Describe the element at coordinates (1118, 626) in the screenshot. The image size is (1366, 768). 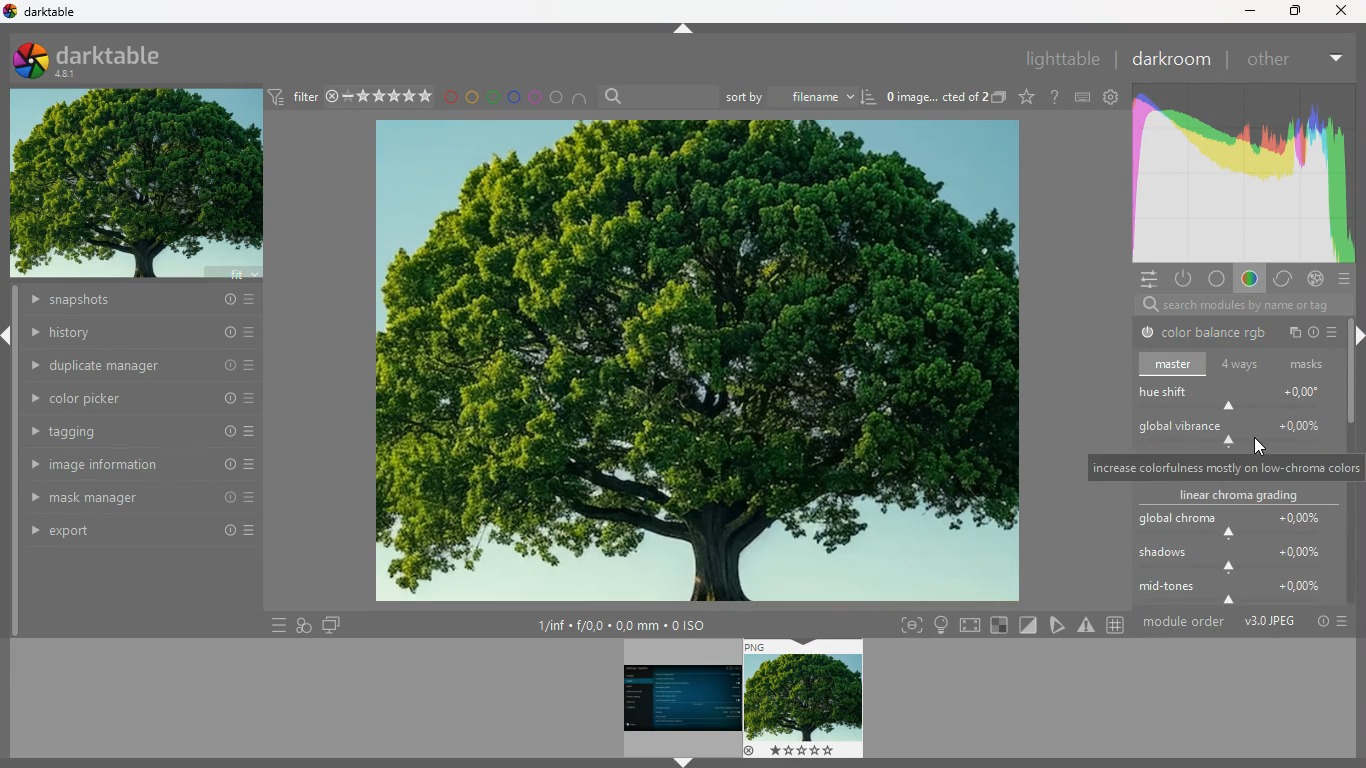
I see `#` at that location.